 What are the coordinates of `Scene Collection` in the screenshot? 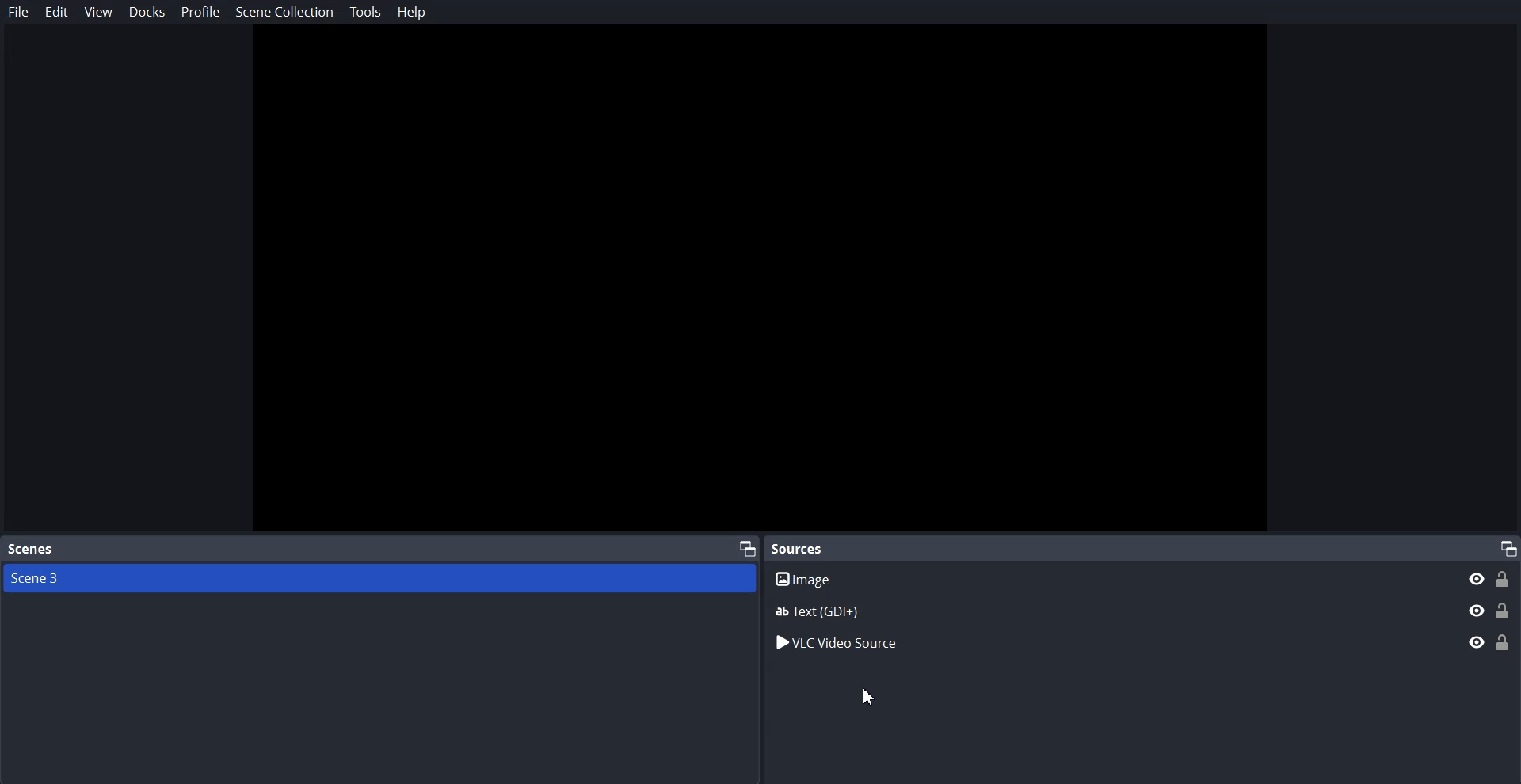 It's located at (284, 14).